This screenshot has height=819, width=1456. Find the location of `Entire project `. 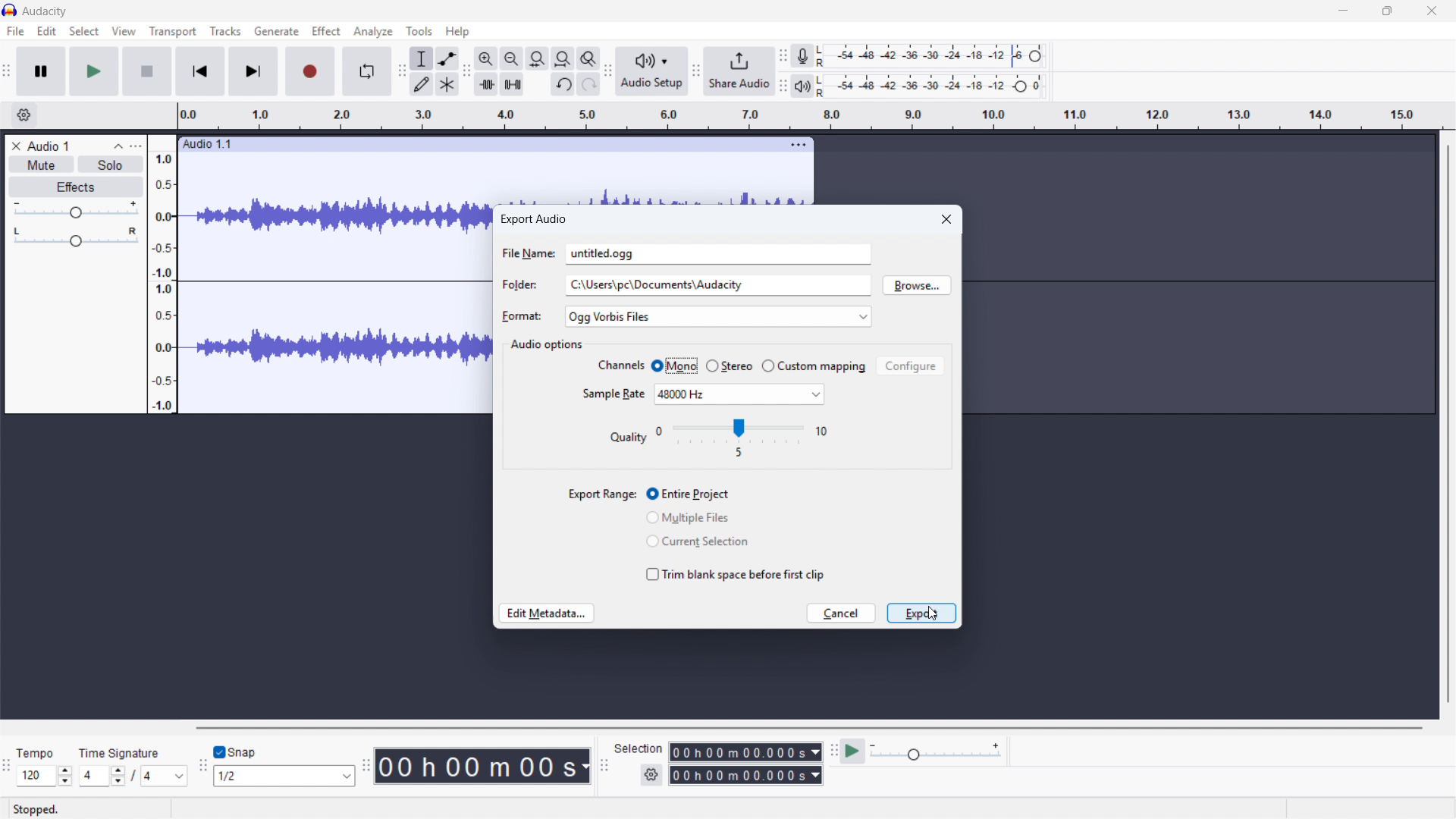

Entire project  is located at coordinates (689, 494).